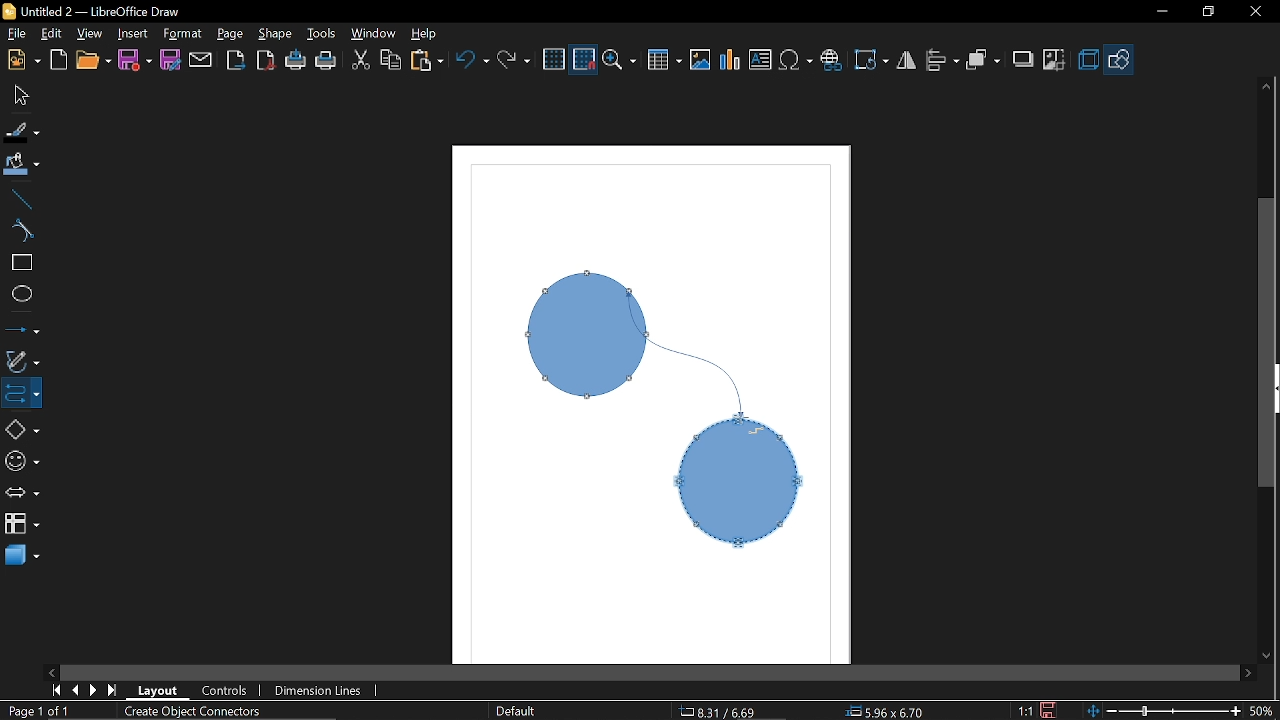  Describe the element at coordinates (427, 34) in the screenshot. I see `Help` at that location.